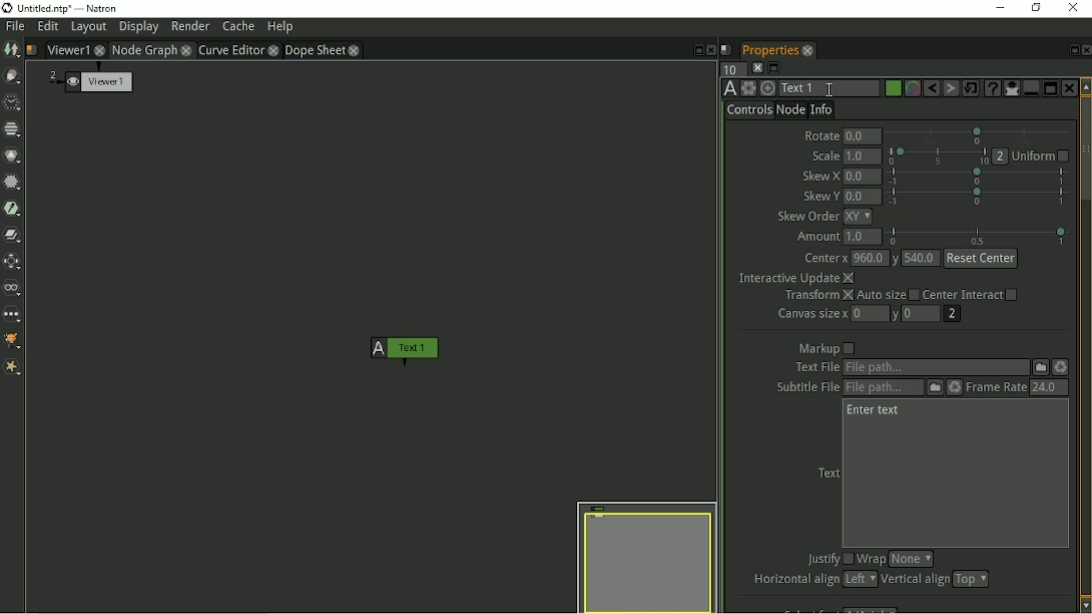  What do you see at coordinates (1036, 8) in the screenshot?
I see ` Restore down` at bounding box center [1036, 8].